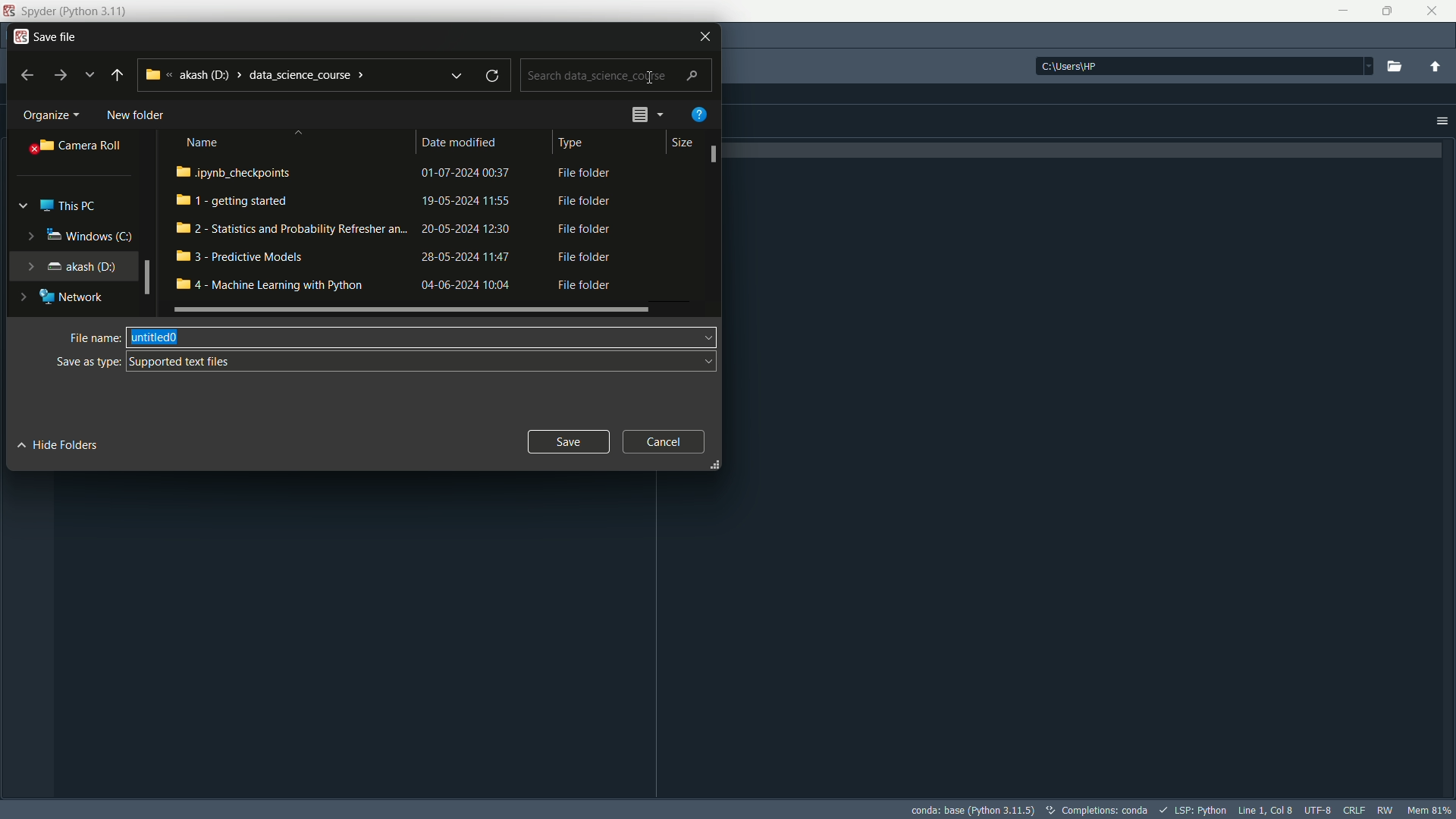 The width and height of the screenshot is (1456, 819). Describe the element at coordinates (270, 288) in the screenshot. I see `I 4 - Machine Learning with Python` at that location.